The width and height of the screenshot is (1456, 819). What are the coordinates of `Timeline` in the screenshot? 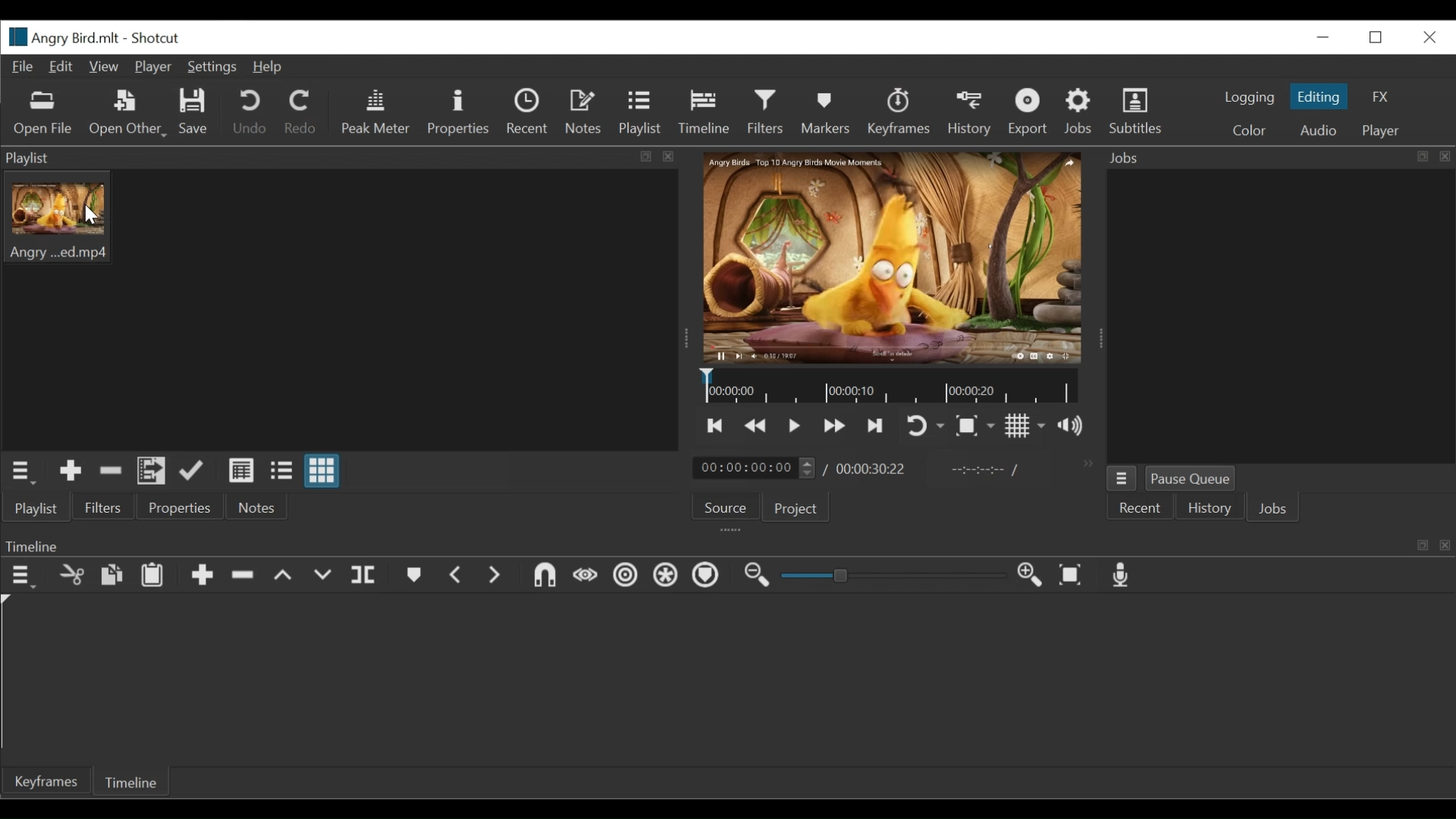 It's located at (703, 112).